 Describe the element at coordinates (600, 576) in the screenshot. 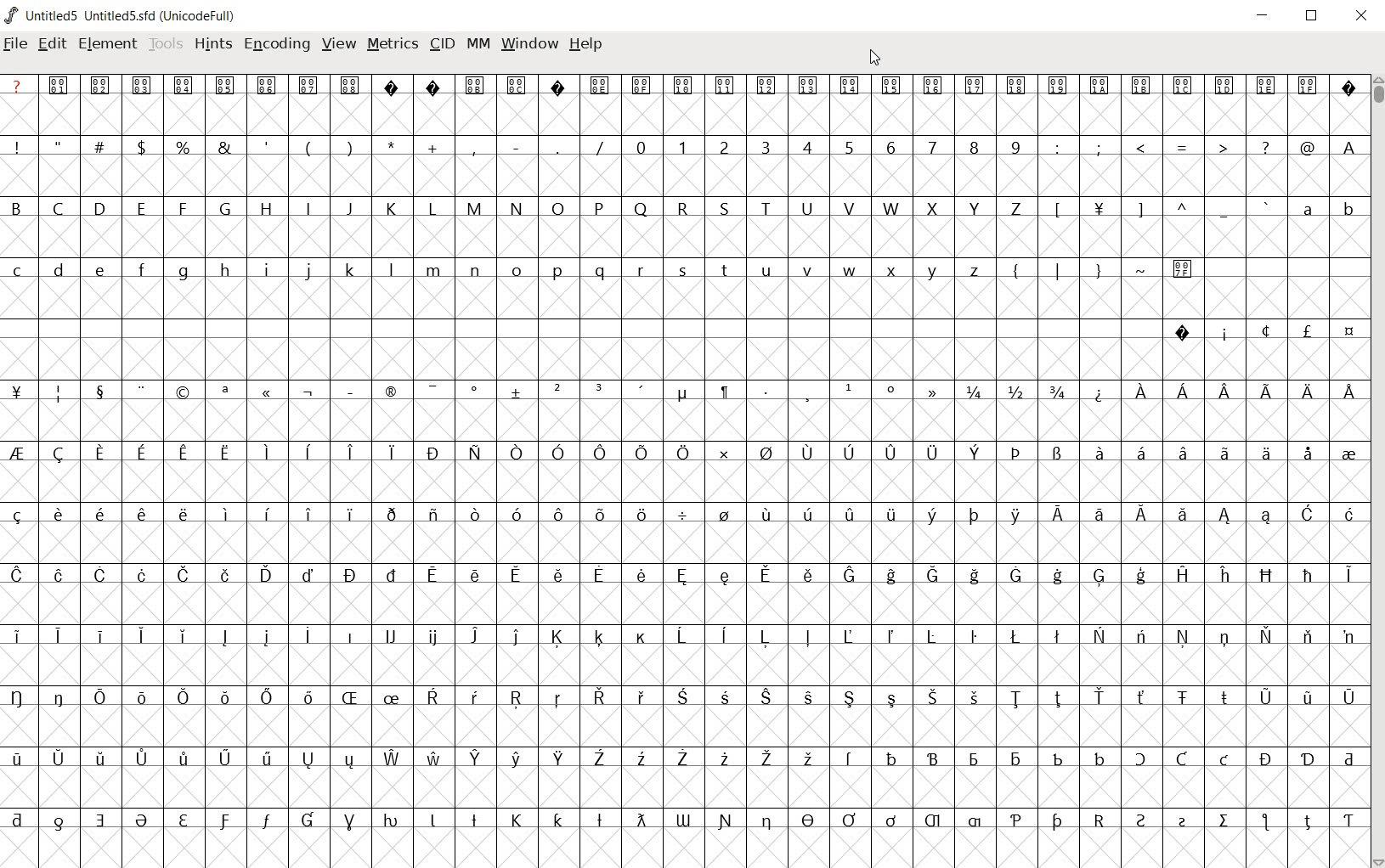

I see `Symbol` at that location.